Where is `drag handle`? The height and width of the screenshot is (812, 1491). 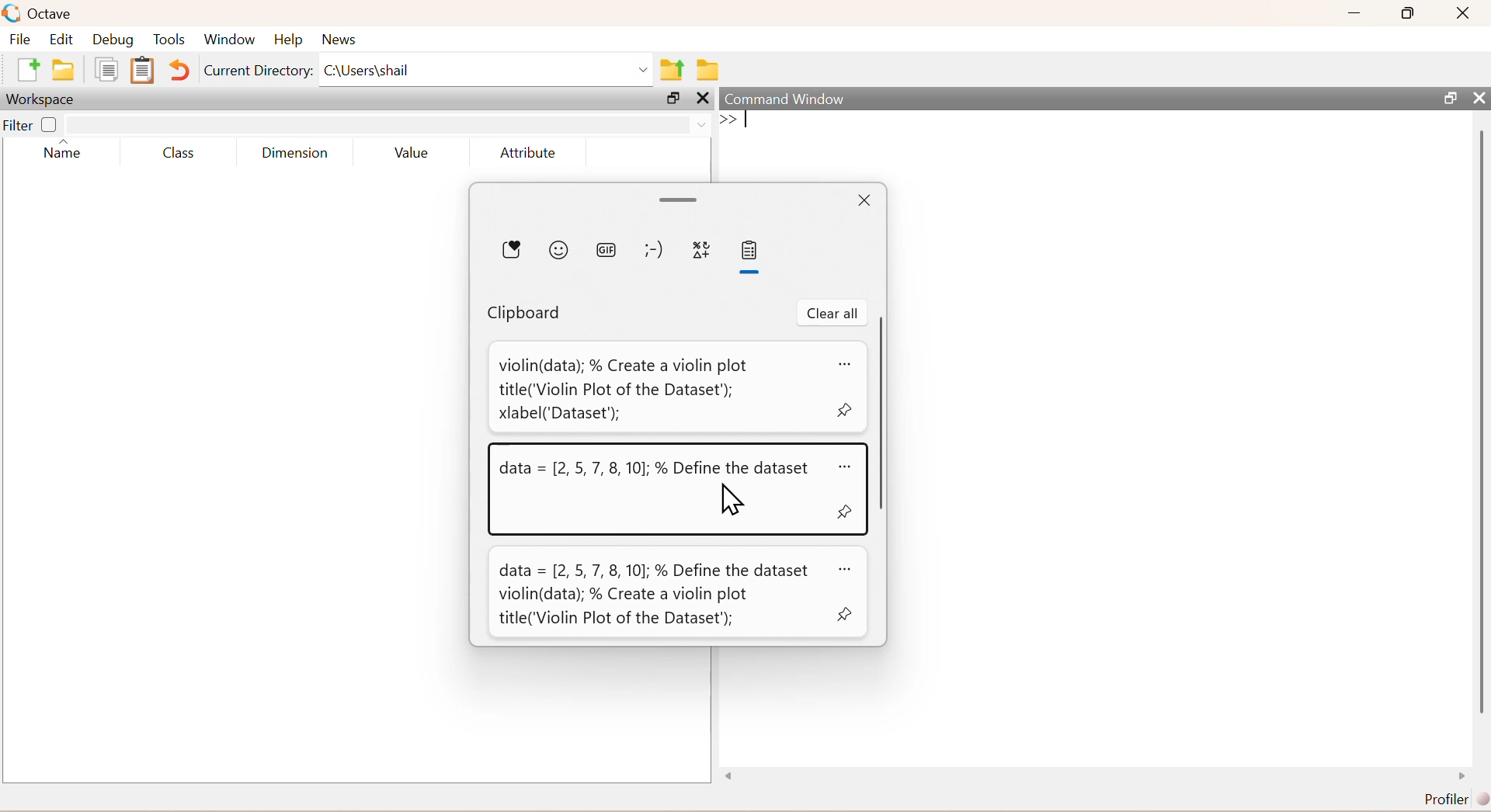
drag handle is located at coordinates (680, 201).